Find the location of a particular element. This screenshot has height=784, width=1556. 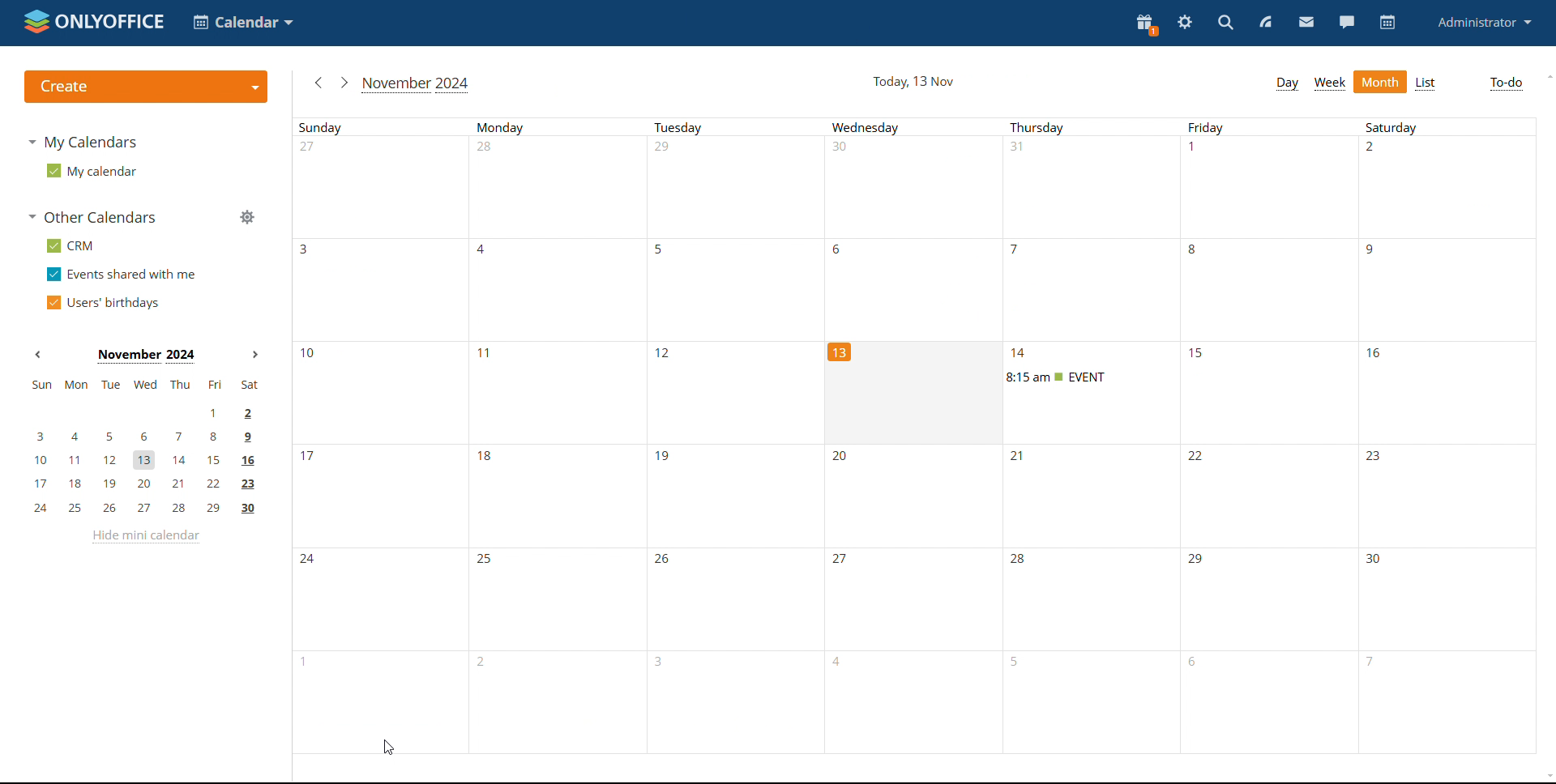

unallocated time slots is located at coordinates (921, 601).